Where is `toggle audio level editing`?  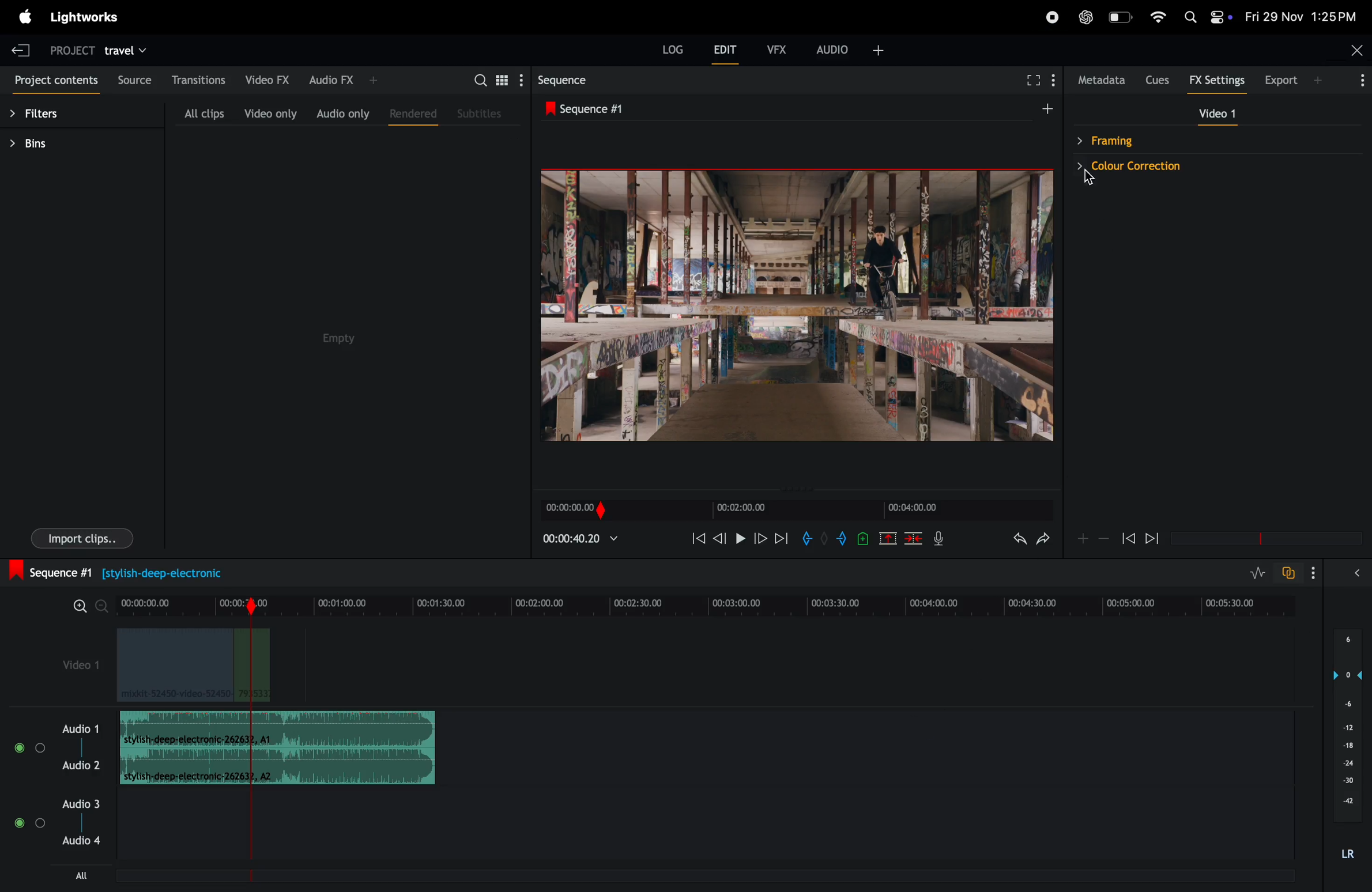
toggle audio level editing is located at coordinates (1259, 572).